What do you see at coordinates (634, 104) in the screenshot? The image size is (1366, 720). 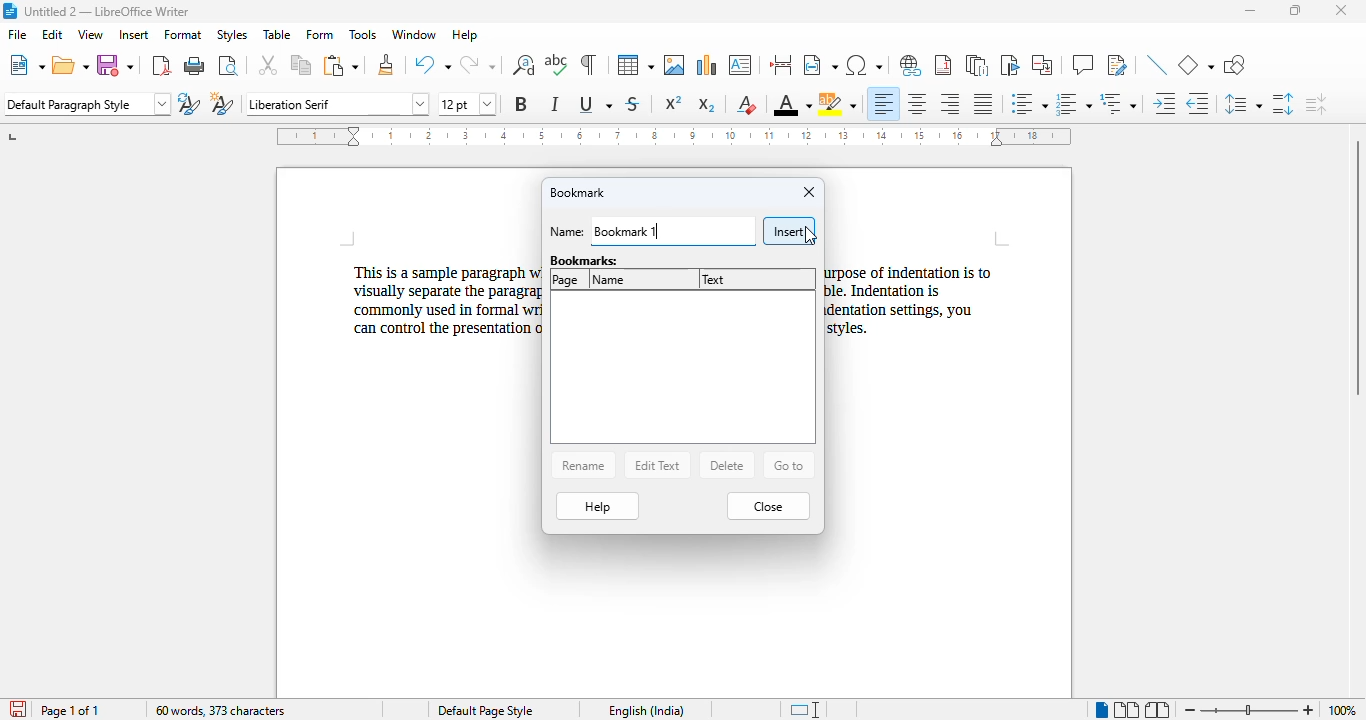 I see `strikethrough` at bounding box center [634, 104].